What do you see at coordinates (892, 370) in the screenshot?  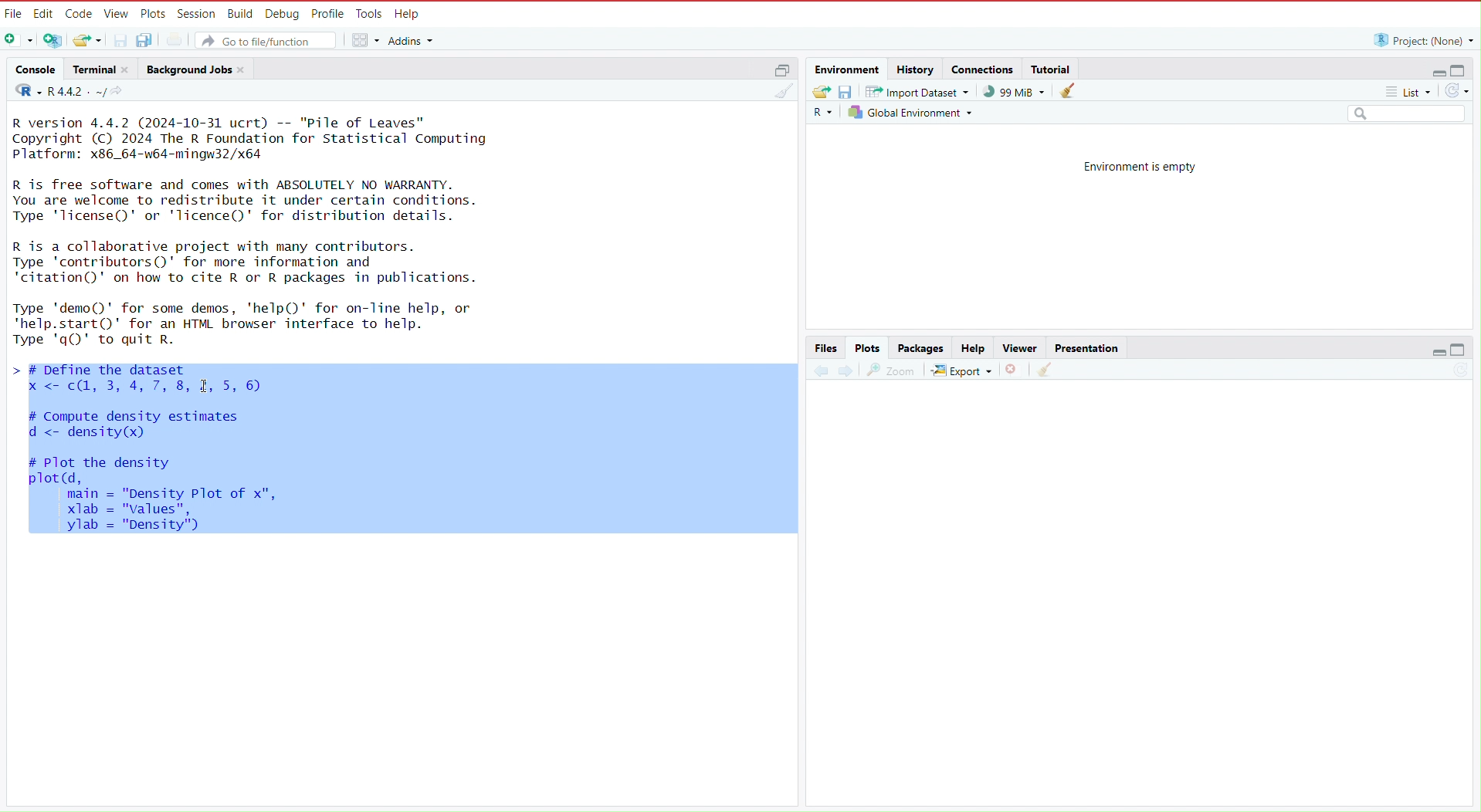 I see `view a larger version of plot in new window` at bounding box center [892, 370].